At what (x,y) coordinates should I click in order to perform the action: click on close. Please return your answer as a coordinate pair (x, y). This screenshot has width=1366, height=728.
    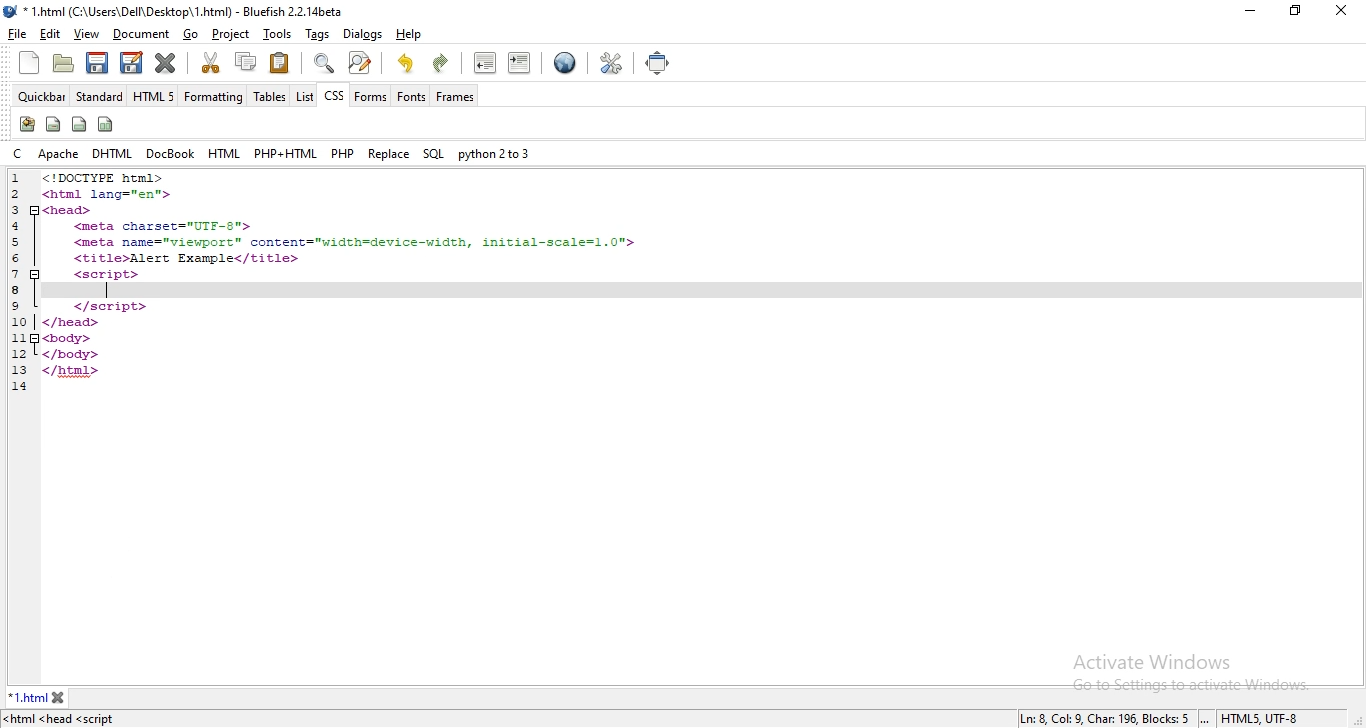
    Looking at the image, I should click on (59, 698).